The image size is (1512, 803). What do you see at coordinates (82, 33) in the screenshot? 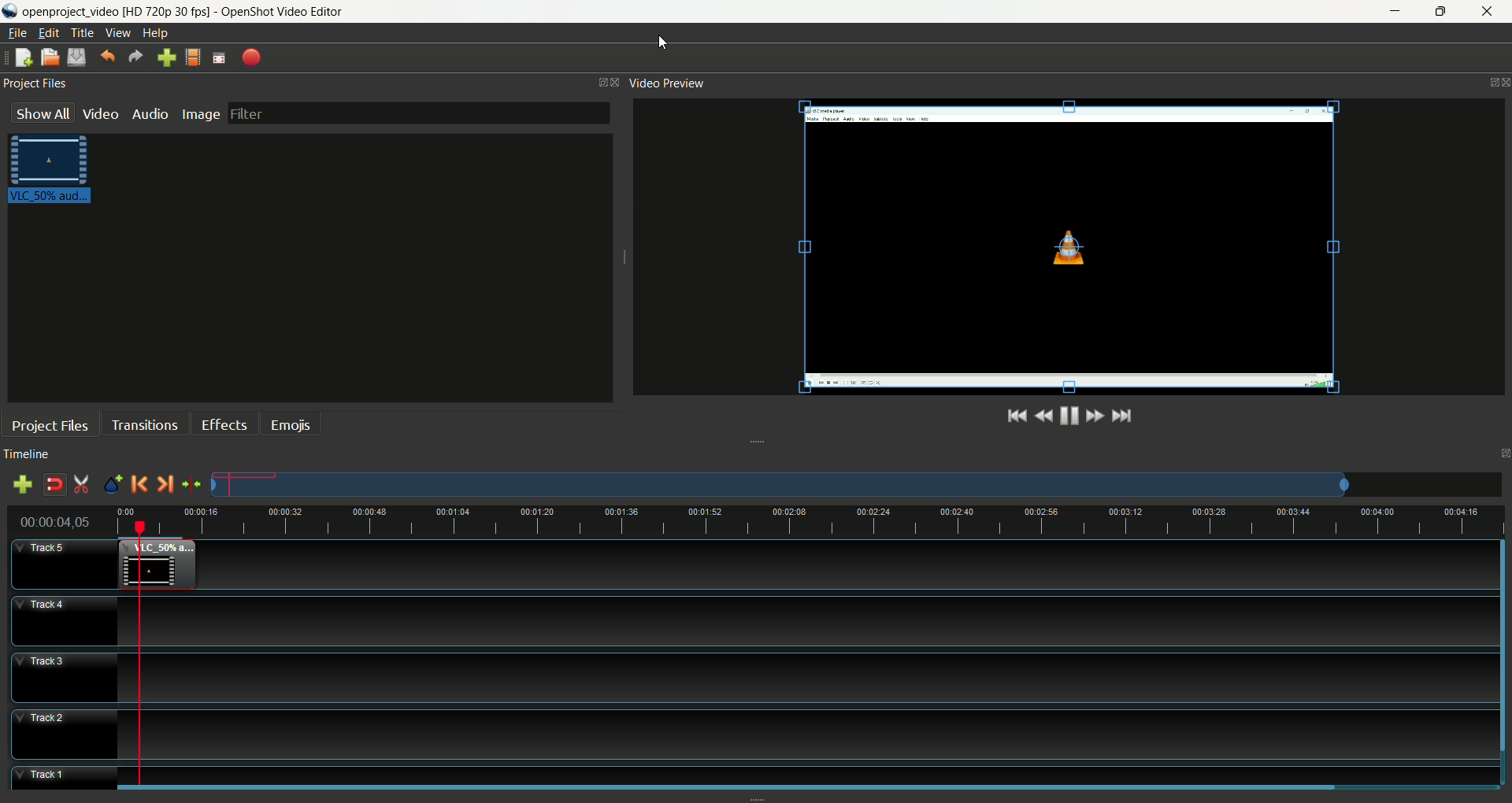
I see `title` at bounding box center [82, 33].